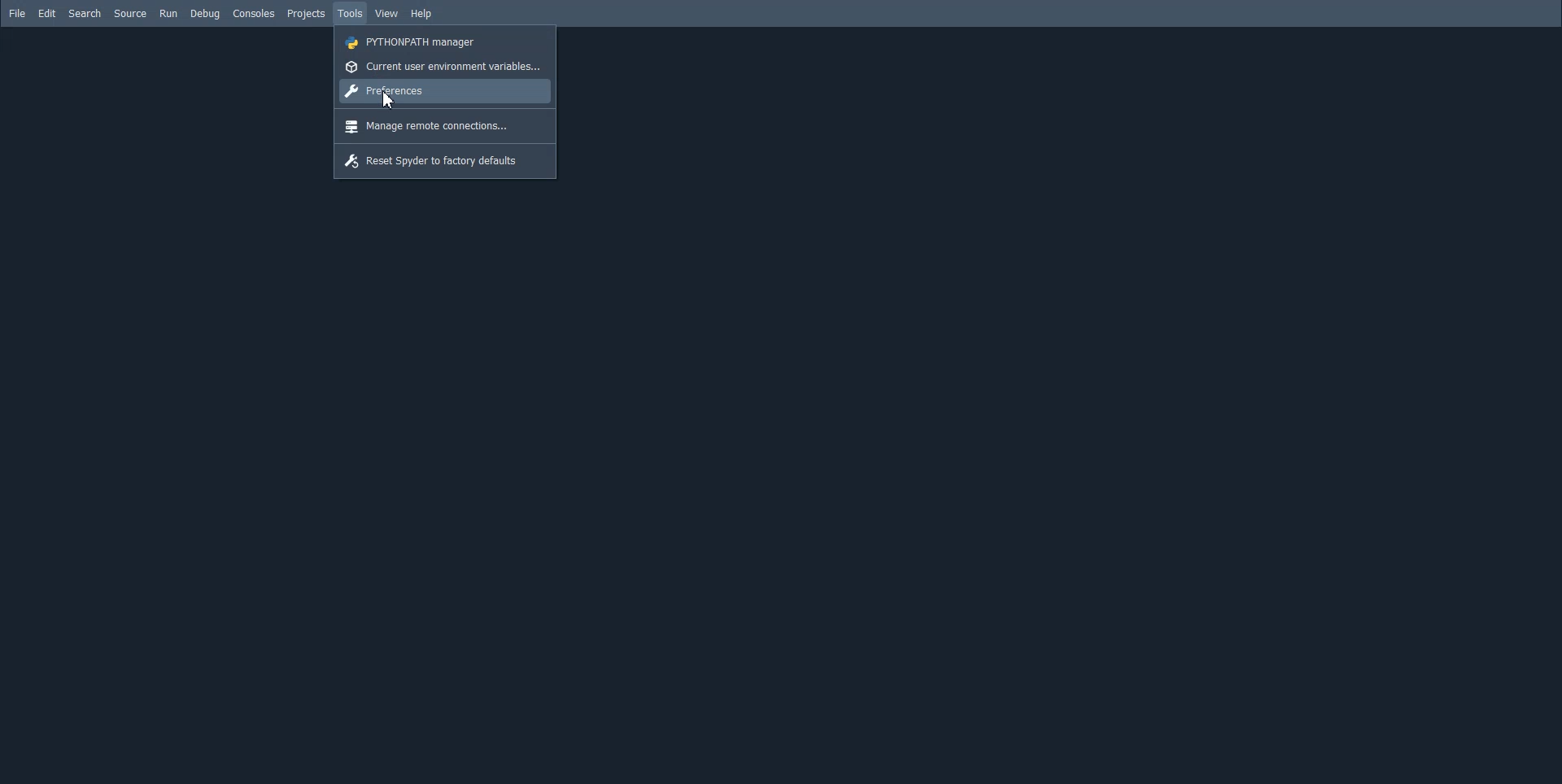  What do you see at coordinates (446, 160) in the screenshot?
I see `Reset Spyder to factory defaults` at bounding box center [446, 160].